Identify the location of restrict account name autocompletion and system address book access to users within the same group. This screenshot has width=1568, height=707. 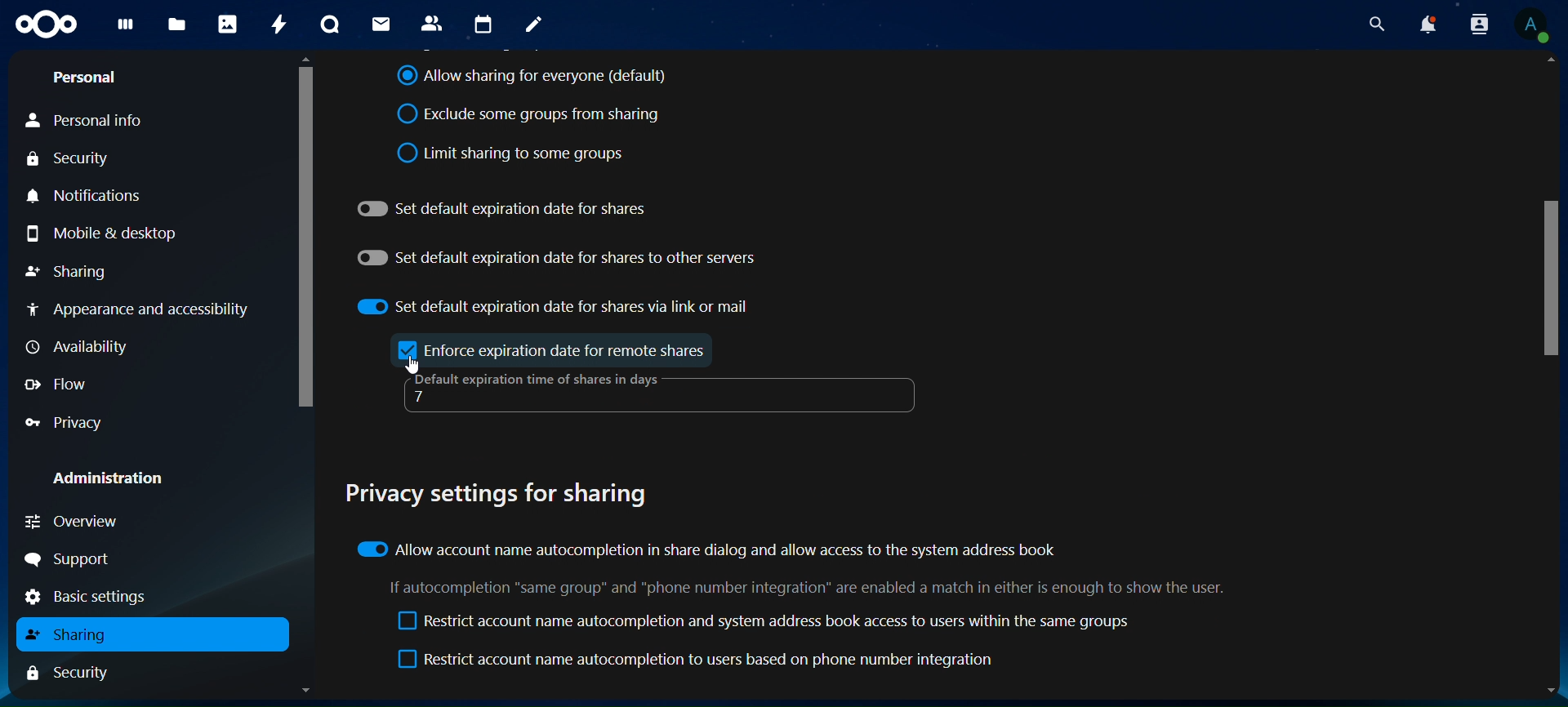
(764, 623).